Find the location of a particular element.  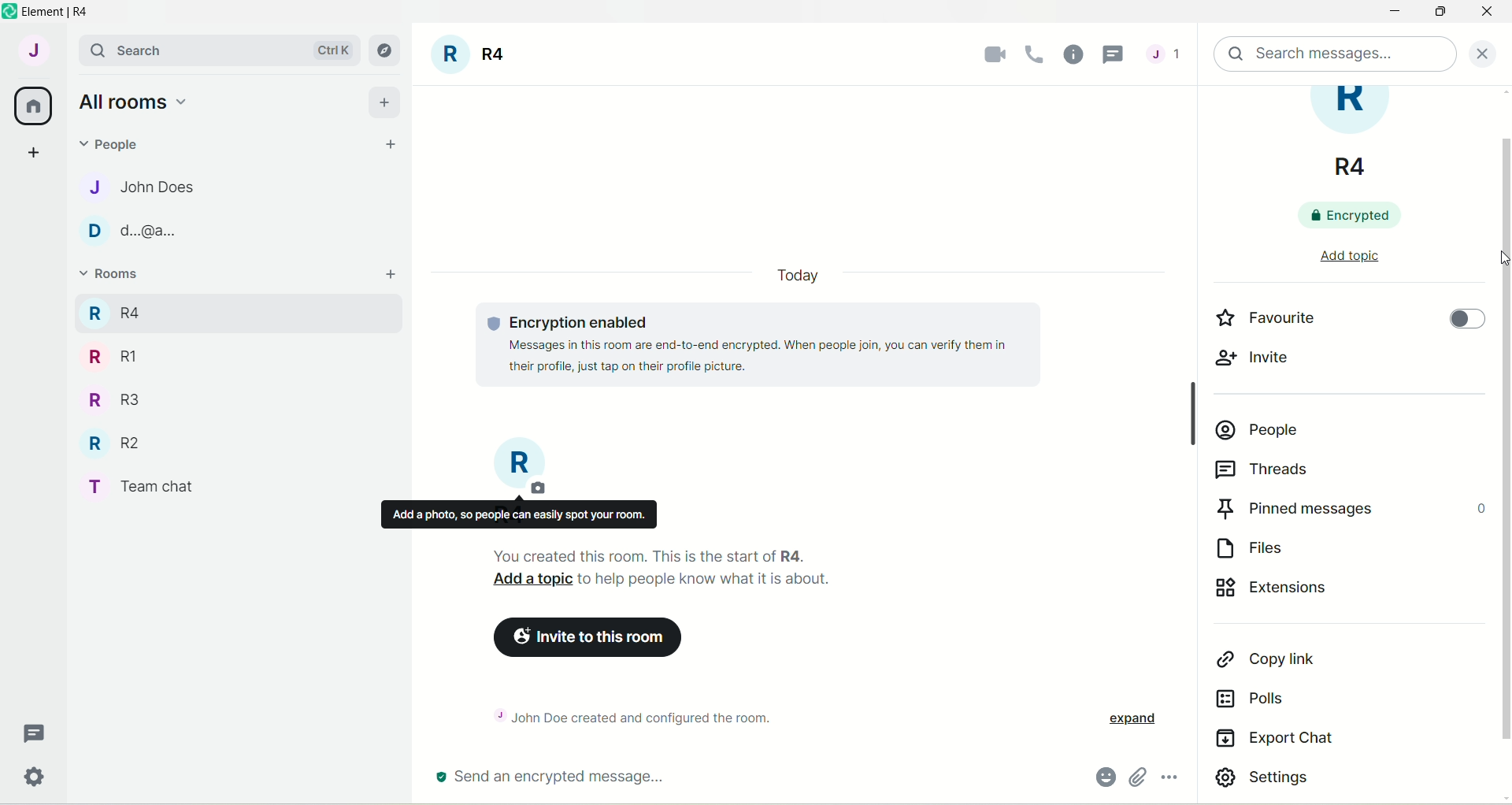

expand is located at coordinates (1131, 720).